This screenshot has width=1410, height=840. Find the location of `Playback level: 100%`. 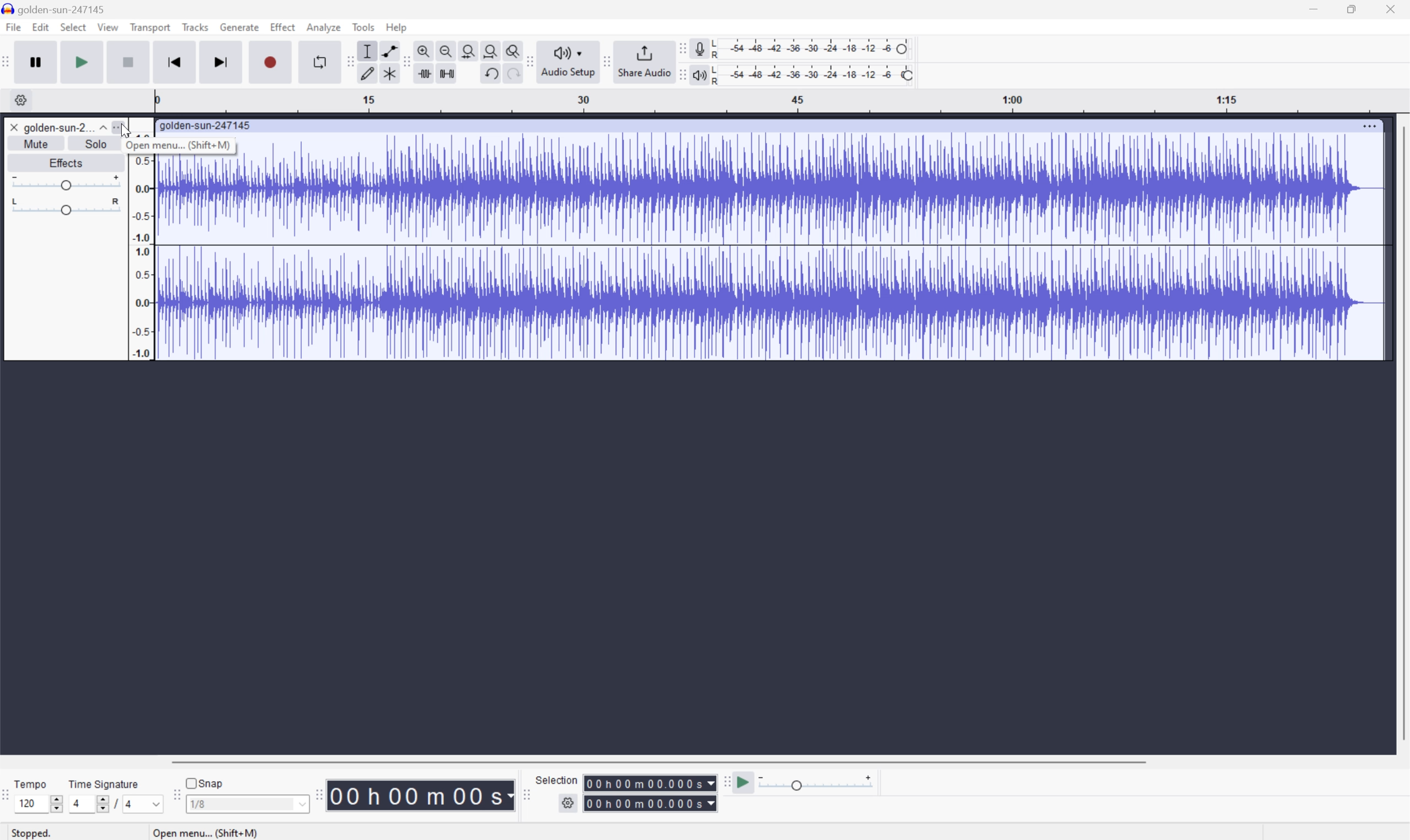

Playback level: 100% is located at coordinates (814, 76).